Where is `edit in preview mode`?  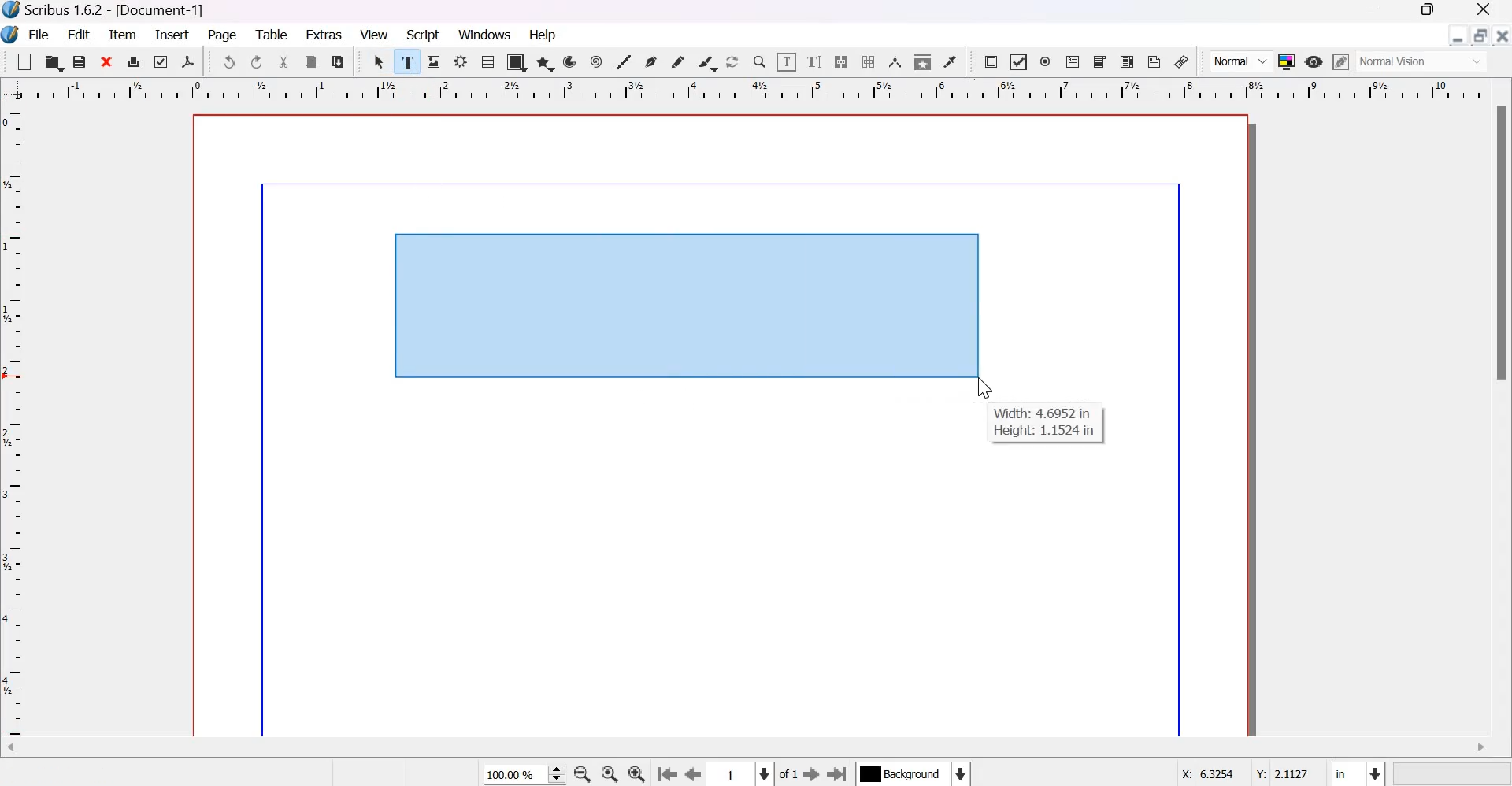
edit in preview mode is located at coordinates (1341, 61).